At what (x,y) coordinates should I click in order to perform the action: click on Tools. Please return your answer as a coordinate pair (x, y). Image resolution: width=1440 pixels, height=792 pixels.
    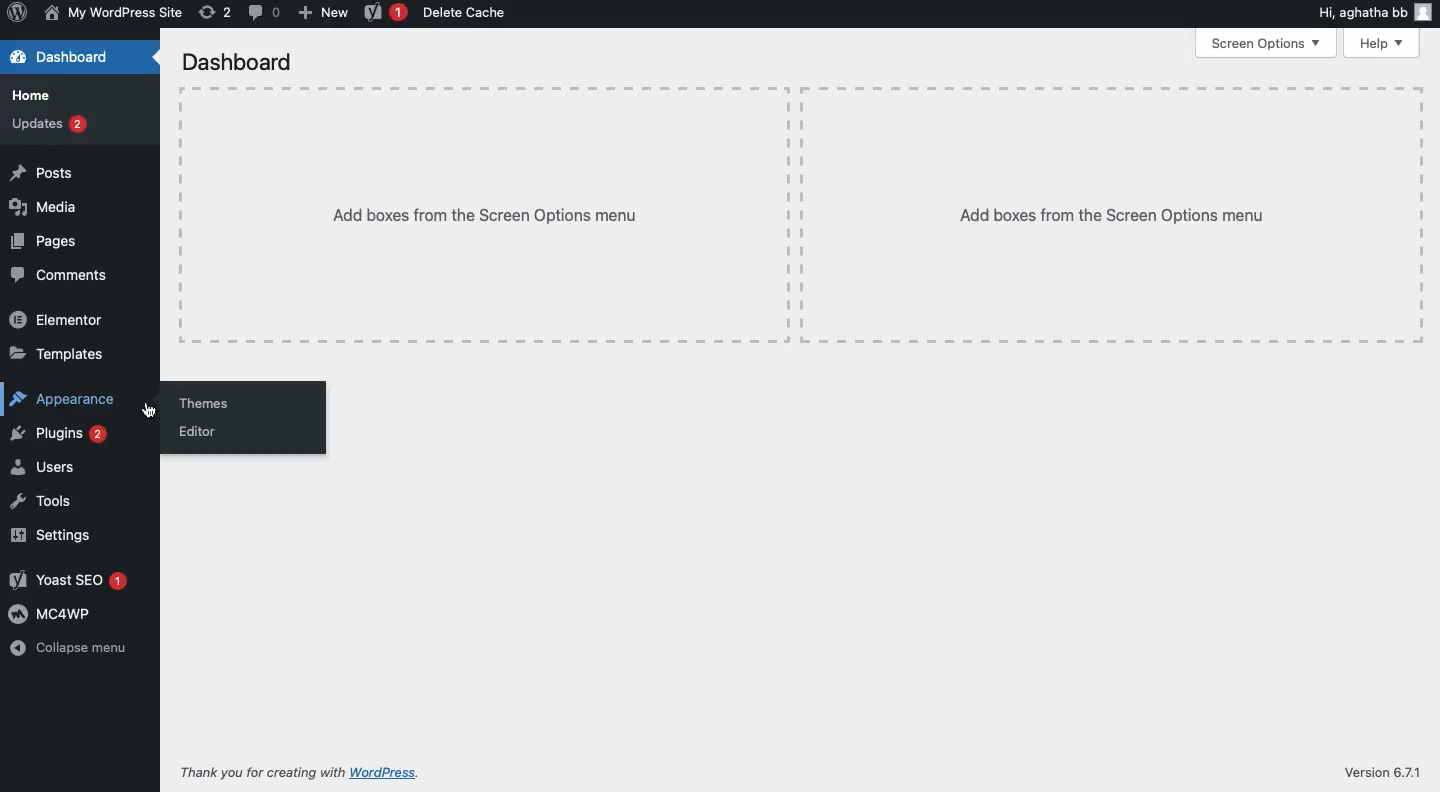
    Looking at the image, I should click on (41, 502).